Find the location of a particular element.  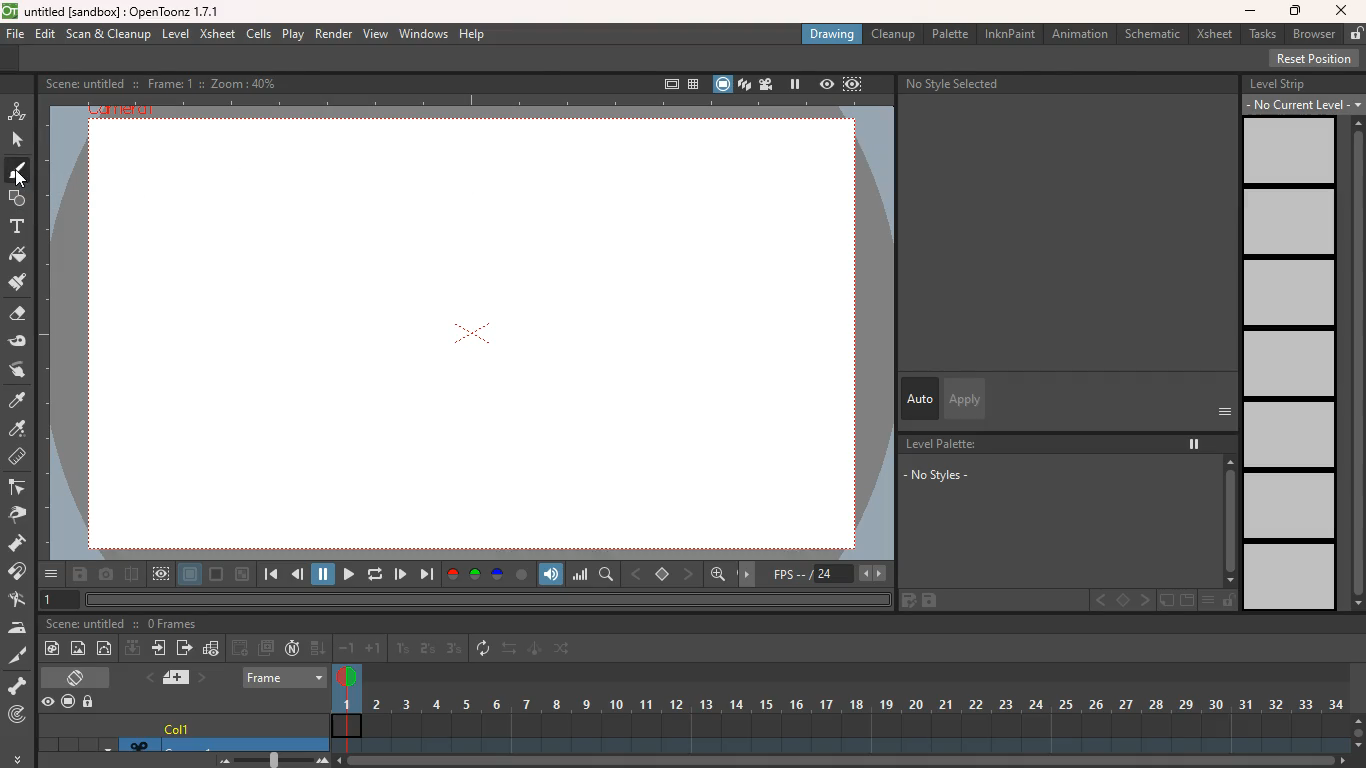

layer is located at coordinates (190, 576).